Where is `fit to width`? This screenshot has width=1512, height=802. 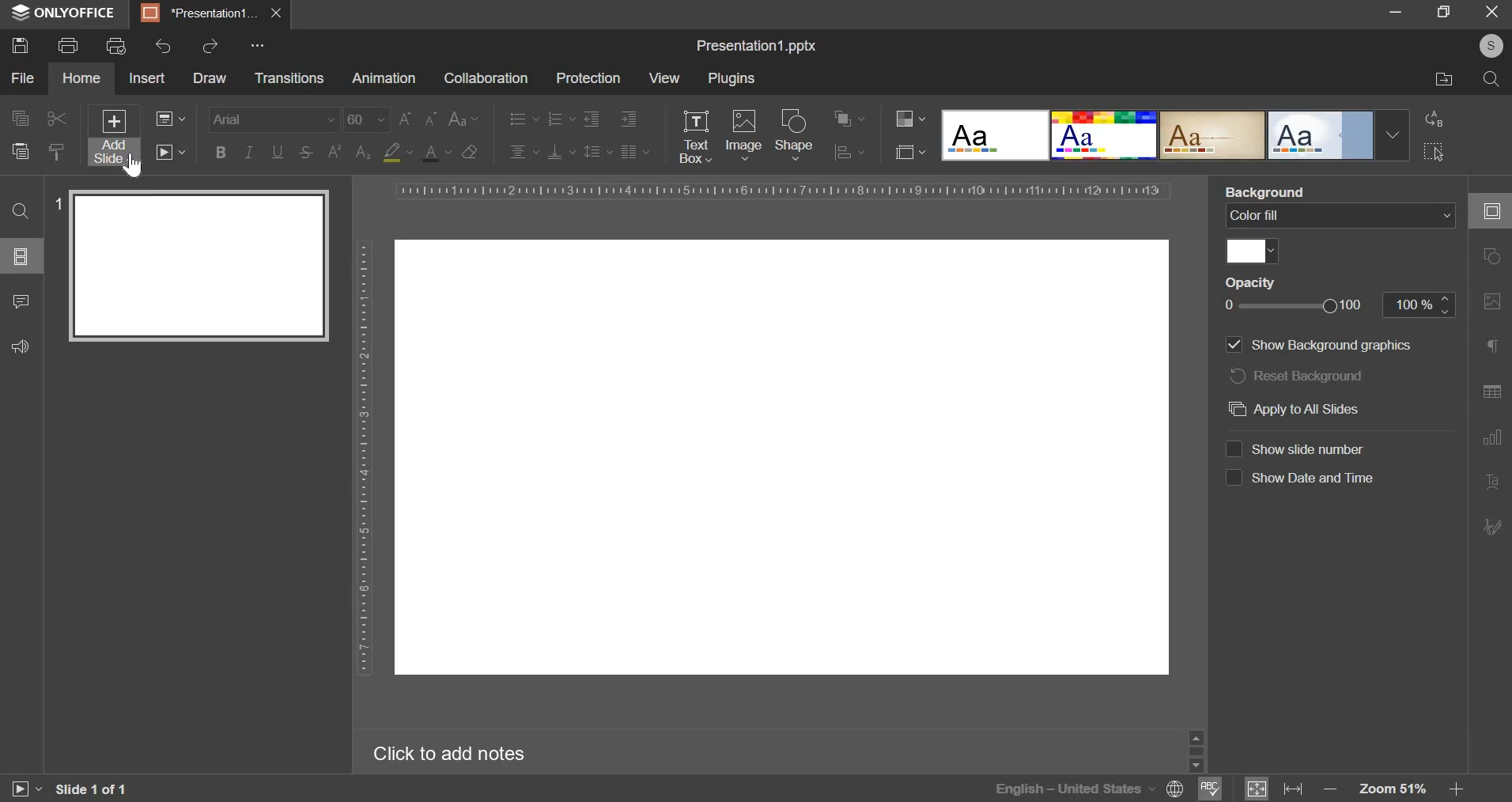 fit to width is located at coordinates (1295, 788).